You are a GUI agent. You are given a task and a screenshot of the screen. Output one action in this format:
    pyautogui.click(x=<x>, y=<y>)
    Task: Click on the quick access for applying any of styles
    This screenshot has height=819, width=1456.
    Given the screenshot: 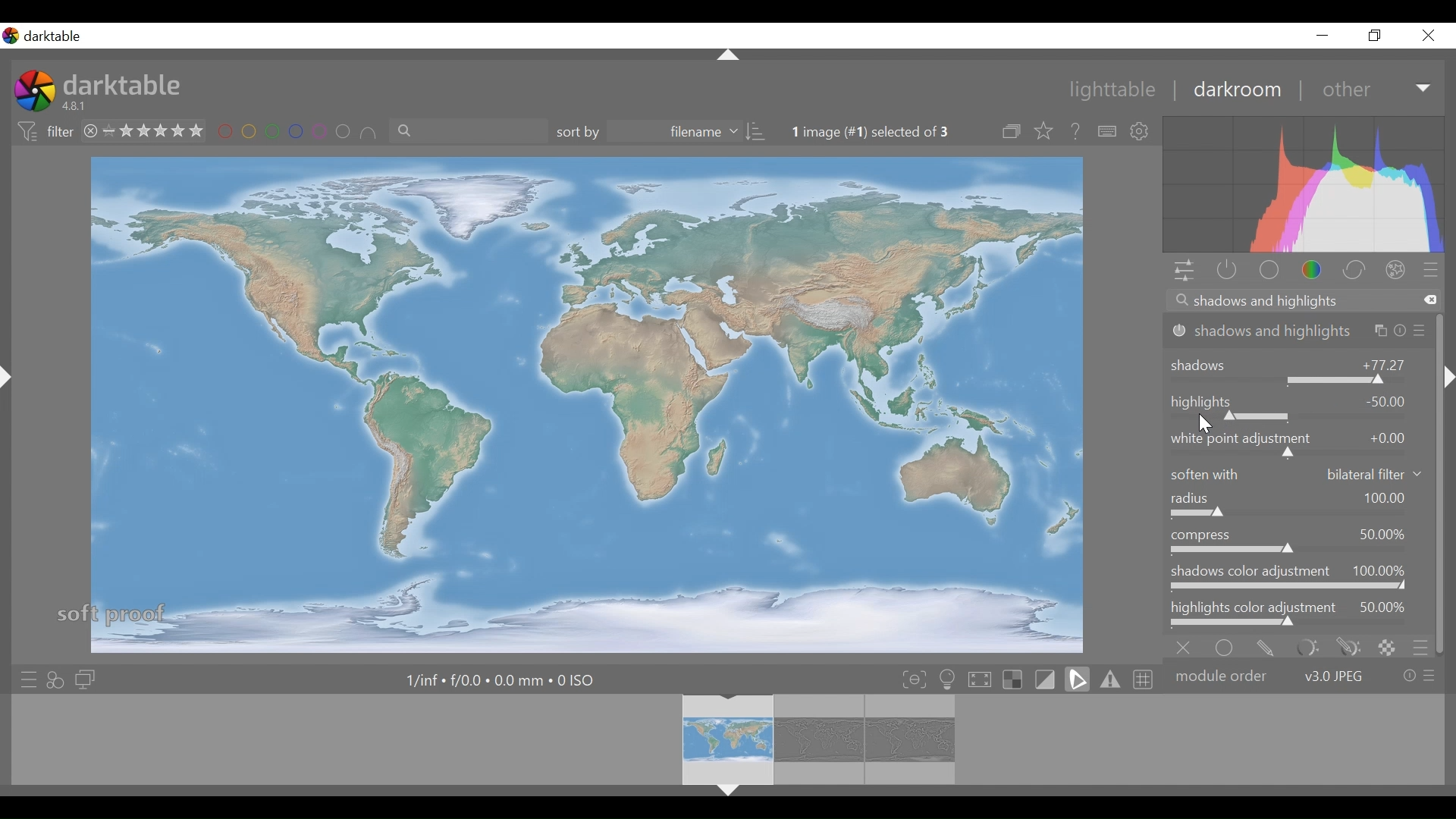 What is the action you would take?
    pyautogui.click(x=58, y=679)
    